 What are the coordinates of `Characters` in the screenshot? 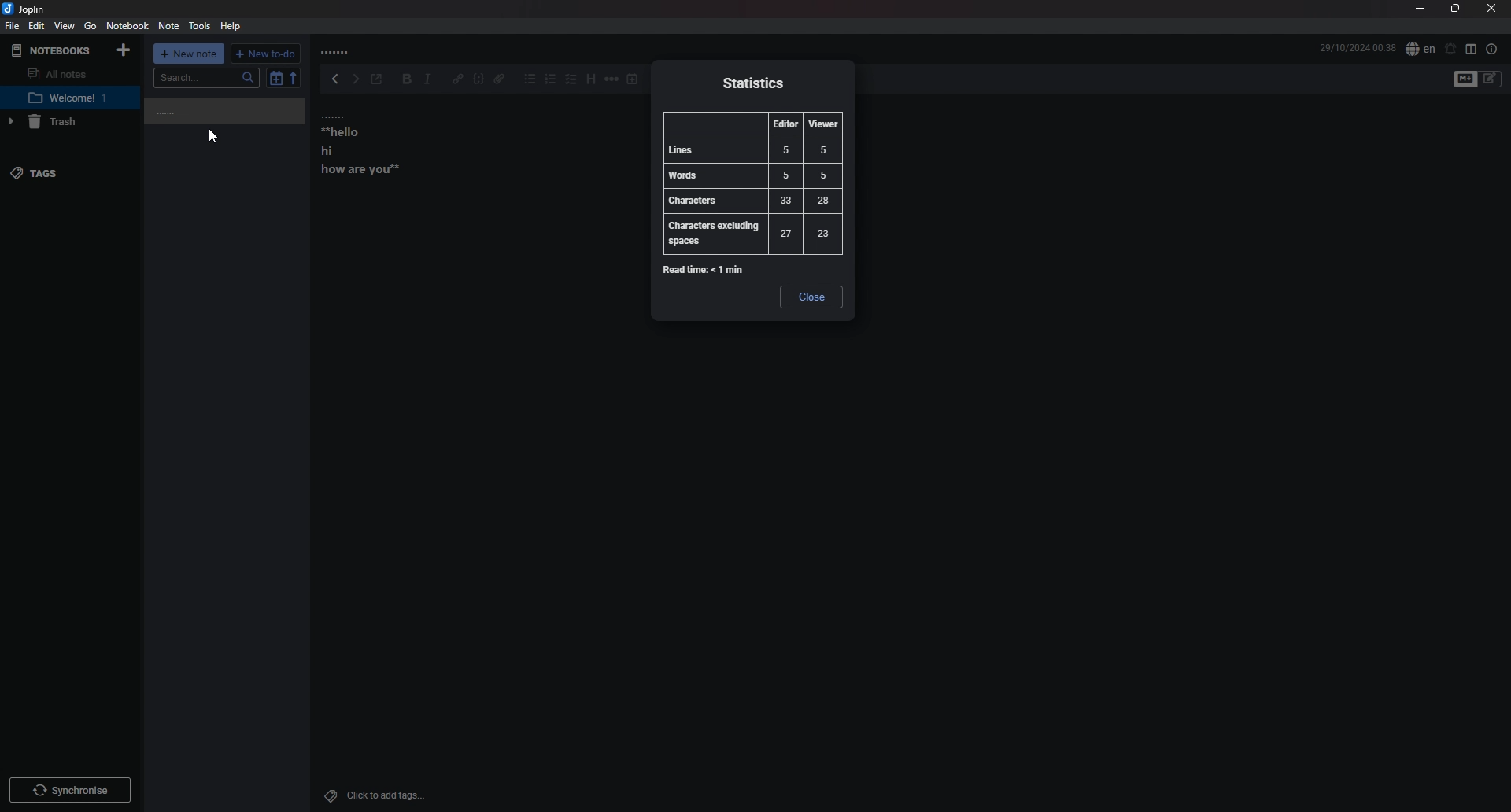 It's located at (748, 201).